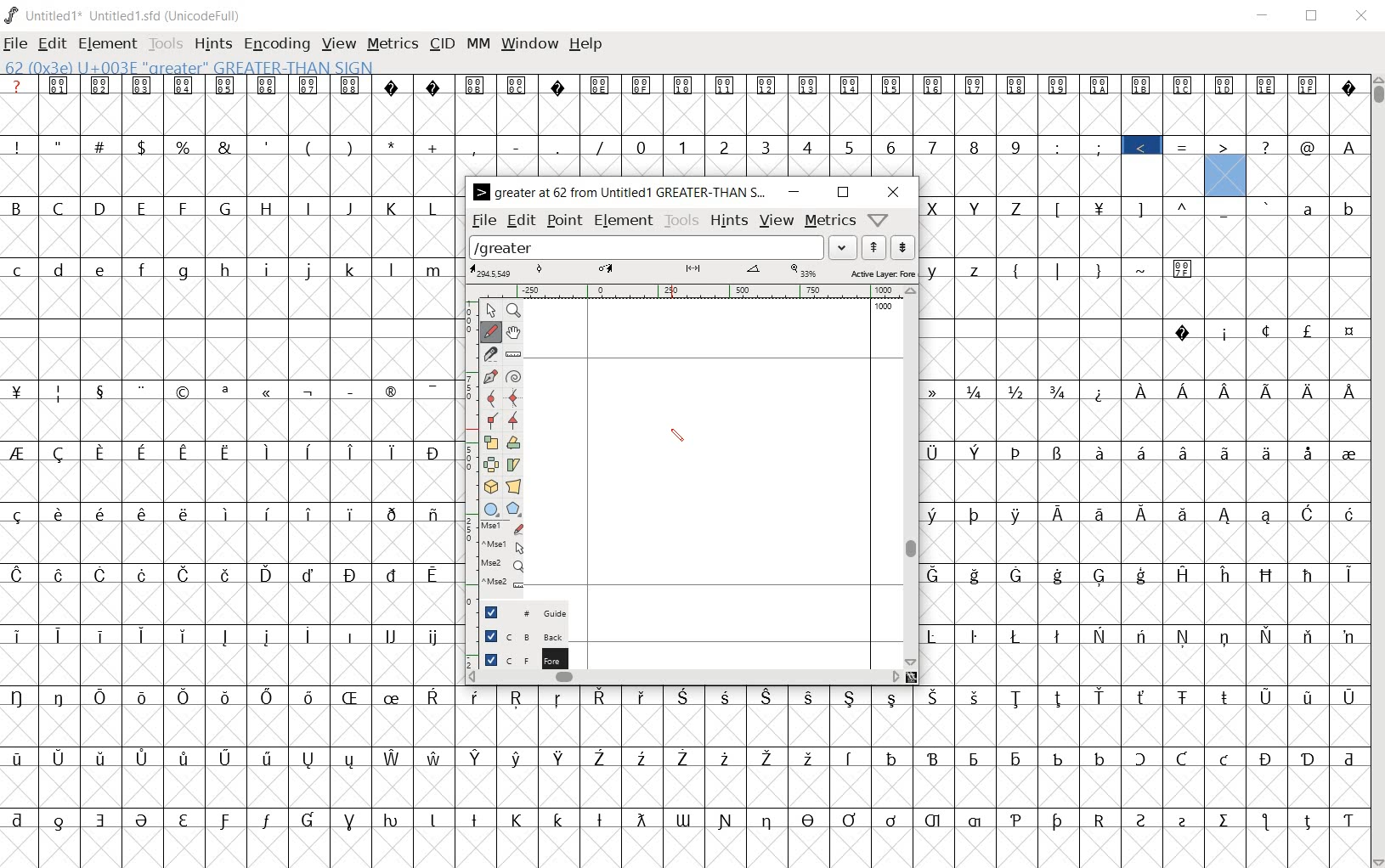 This screenshot has height=868, width=1385. What do you see at coordinates (519, 222) in the screenshot?
I see `edit` at bounding box center [519, 222].